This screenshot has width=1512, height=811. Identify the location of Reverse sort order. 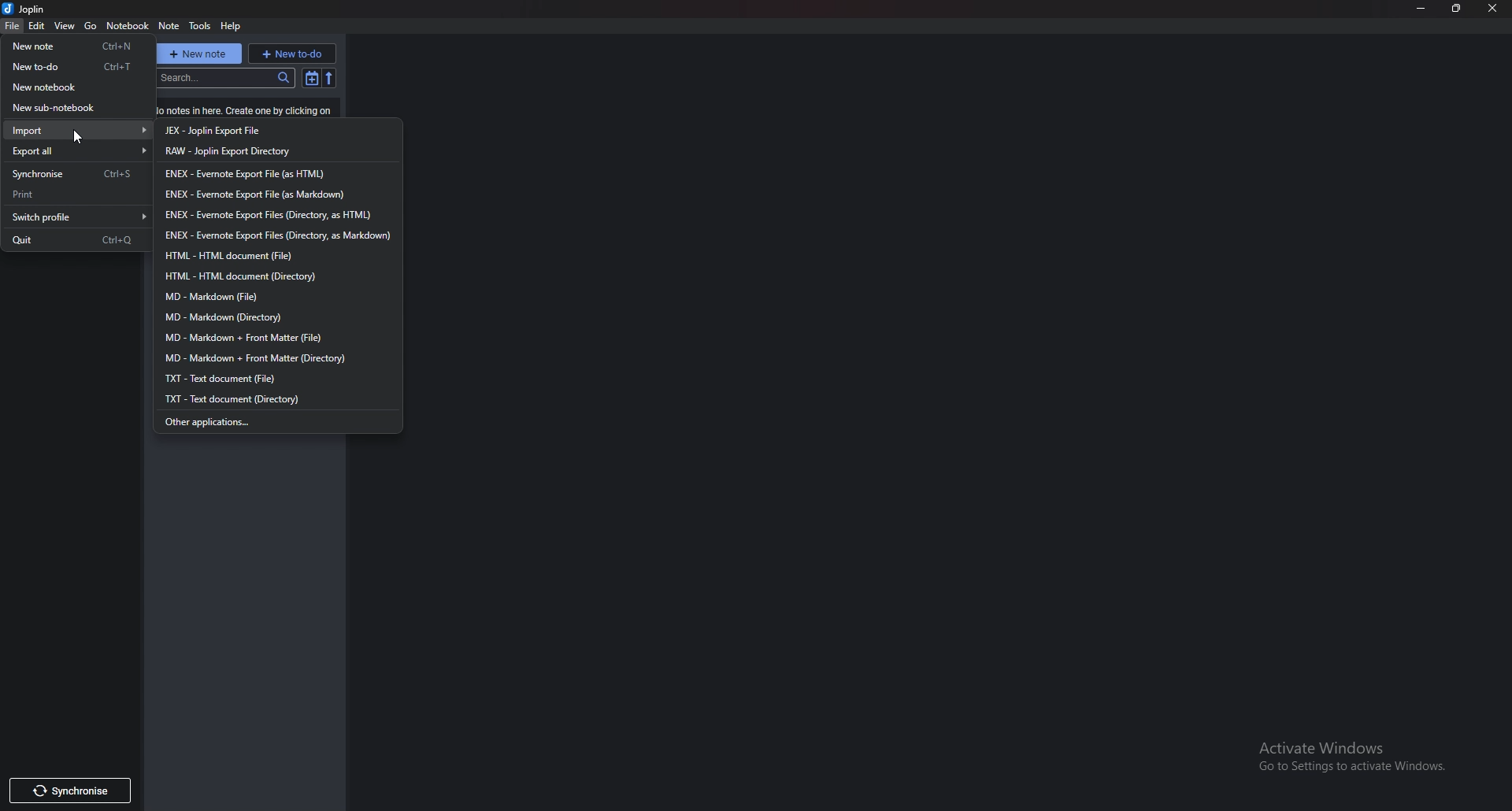
(330, 78).